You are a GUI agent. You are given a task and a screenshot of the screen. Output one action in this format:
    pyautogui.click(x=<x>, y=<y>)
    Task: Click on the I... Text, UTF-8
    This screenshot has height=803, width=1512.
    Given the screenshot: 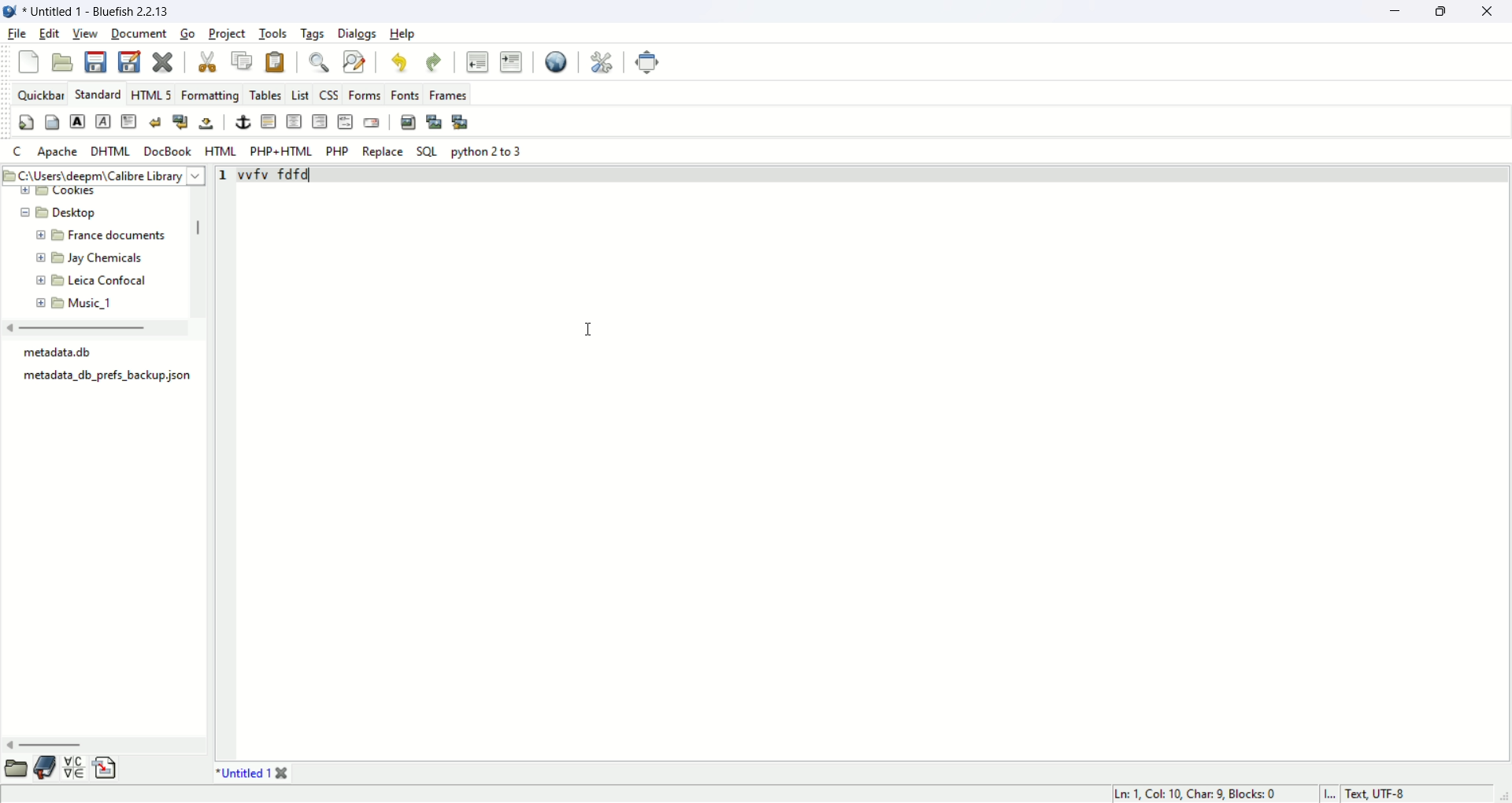 What is the action you would take?
    pyautogui.click(x=1365, y=794)
    